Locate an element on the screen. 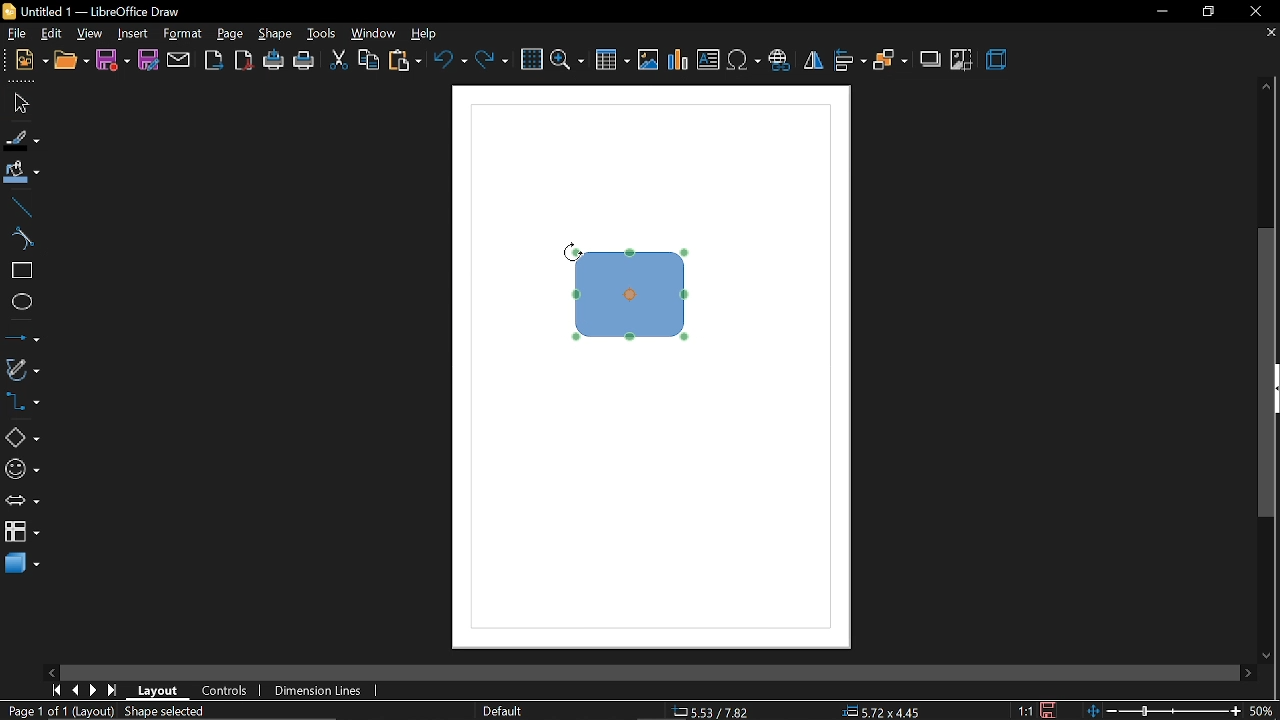 Image resolution: width=1280 pixels, height=720 pixels. help is located at coordinates (426, 35).